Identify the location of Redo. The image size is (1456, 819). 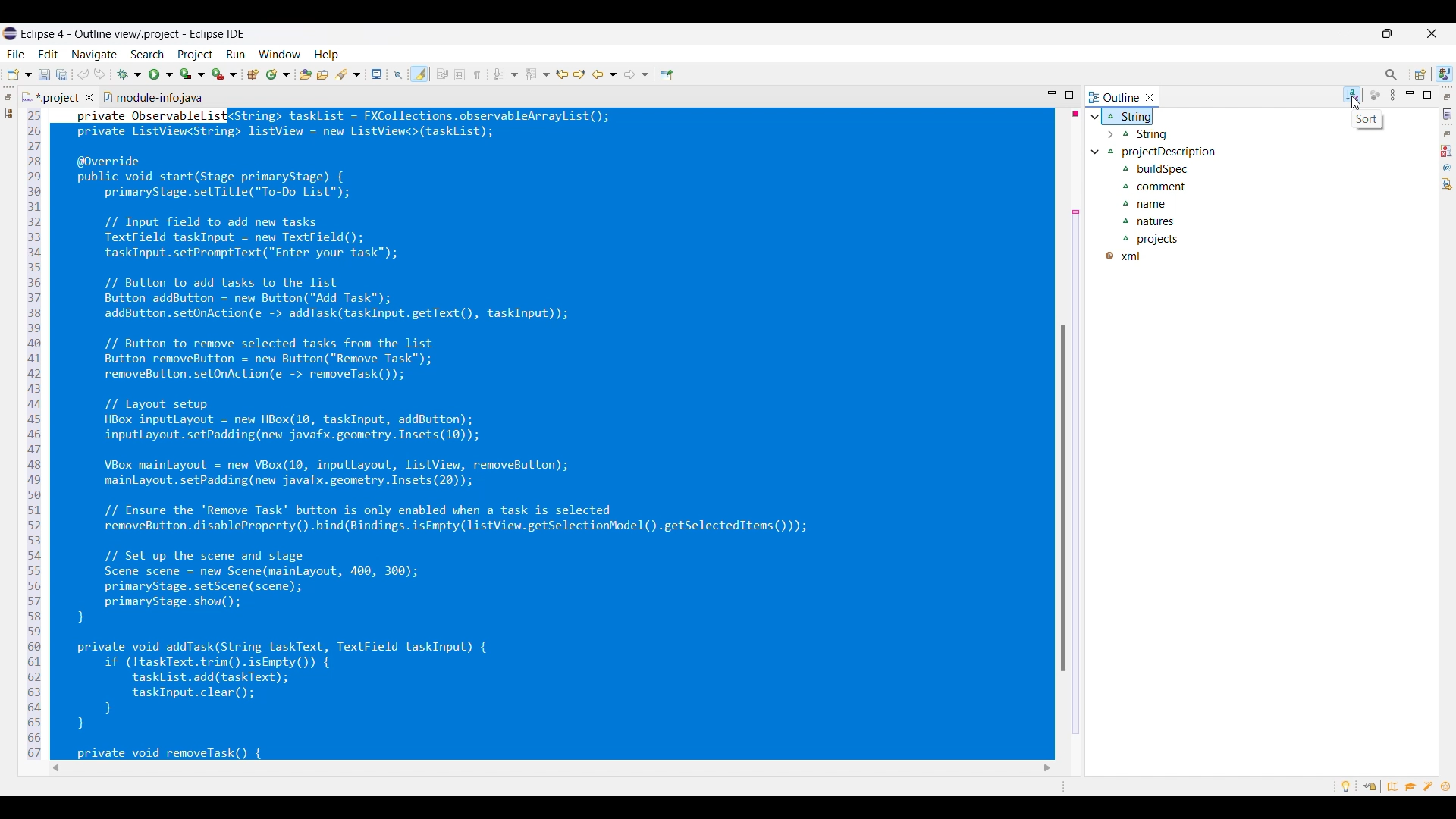
(100, 74).